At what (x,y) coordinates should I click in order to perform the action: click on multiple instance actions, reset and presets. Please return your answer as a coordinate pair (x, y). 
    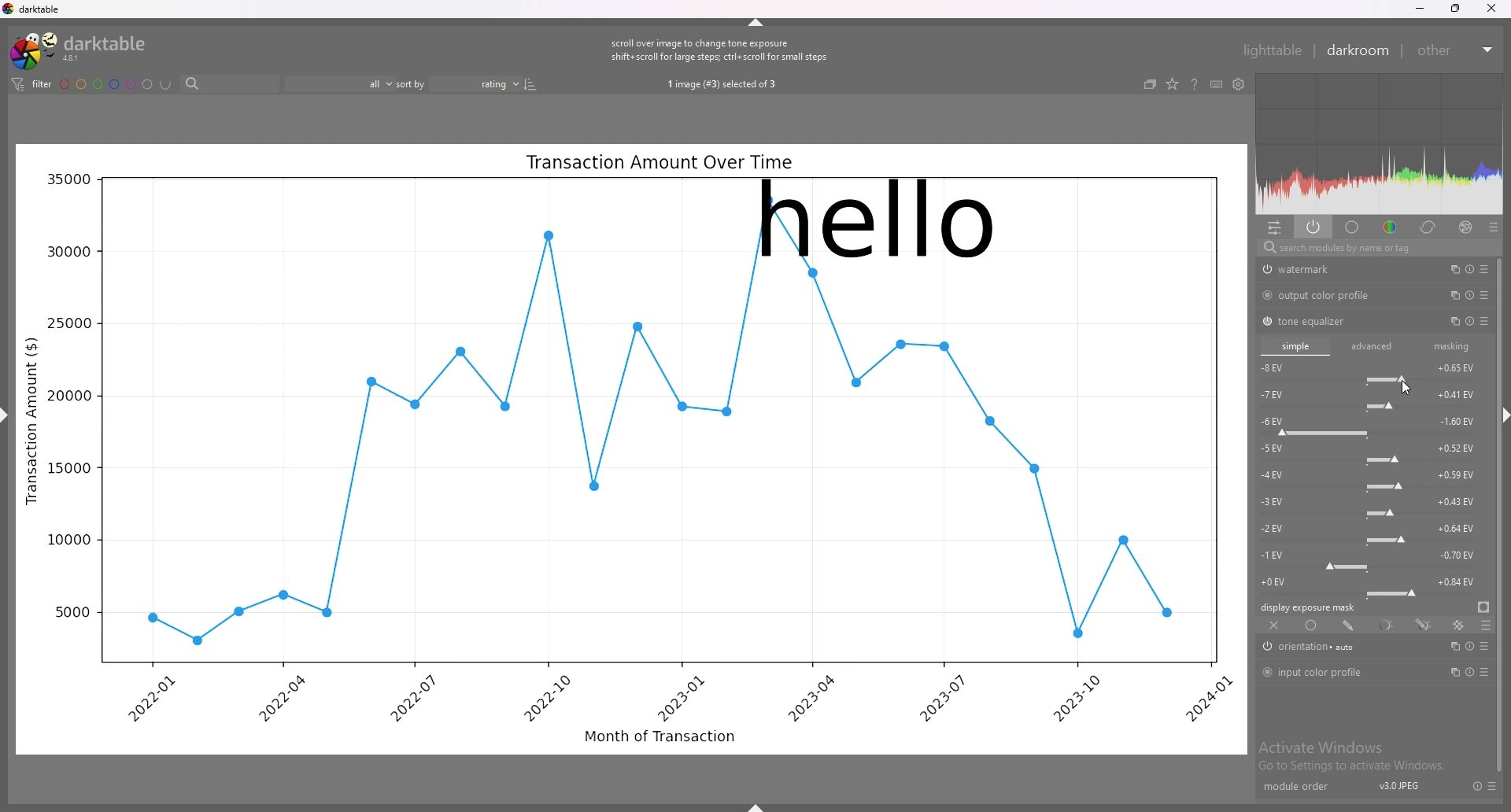
    Looking at the image, I should click on (1469, 268).